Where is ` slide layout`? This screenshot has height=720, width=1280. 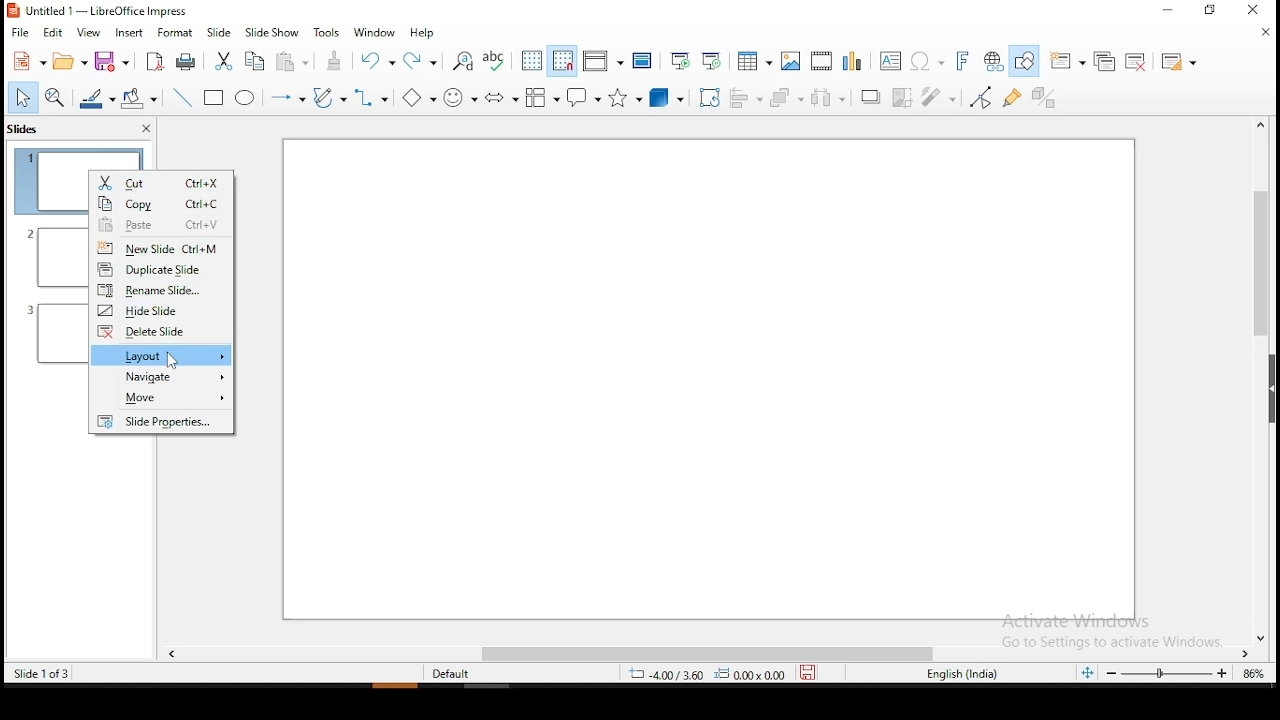  slide layout is located at coordinates (1179, 63).